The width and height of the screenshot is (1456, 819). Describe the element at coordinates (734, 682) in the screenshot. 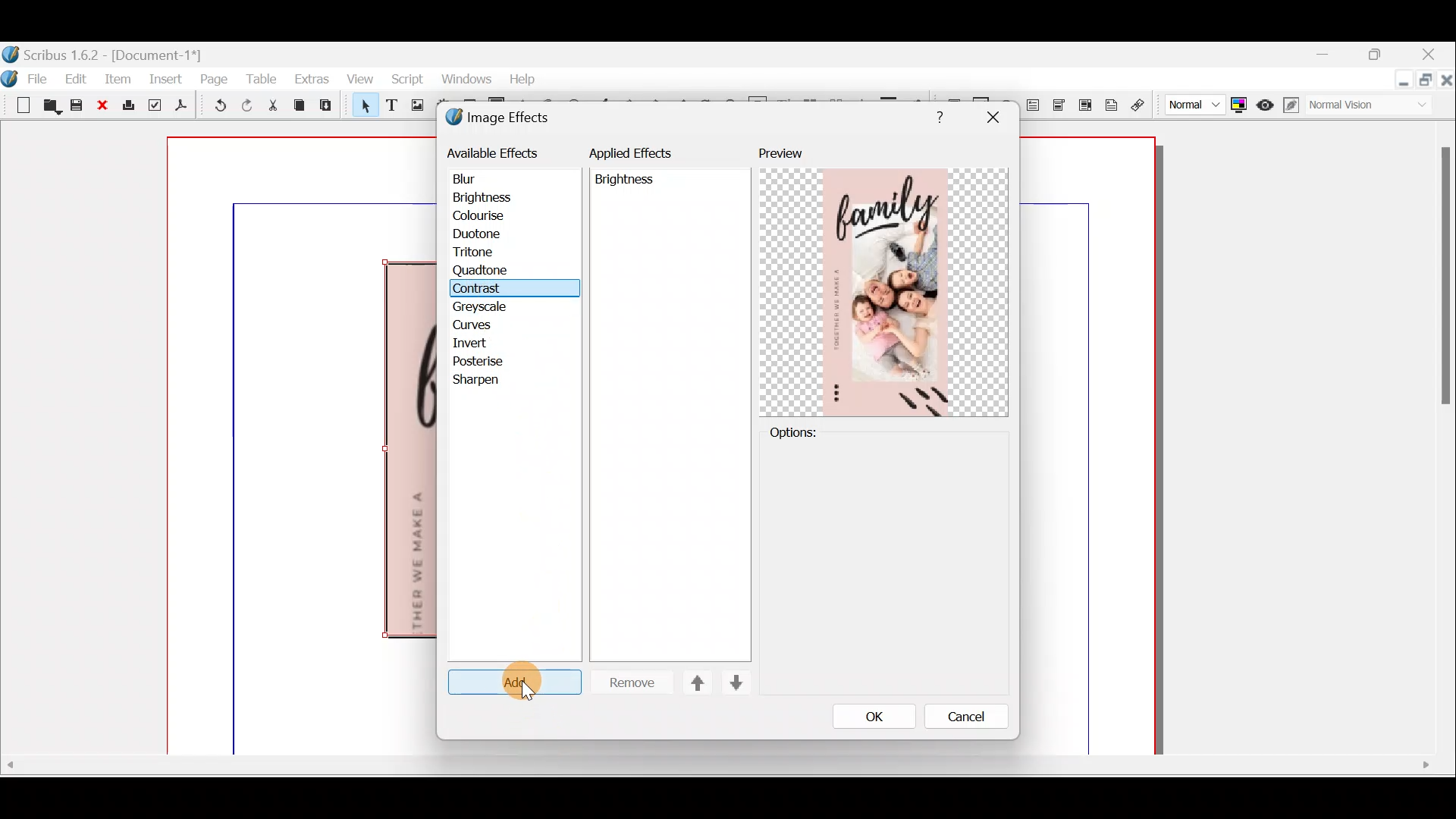

I see `Move down` at that location.